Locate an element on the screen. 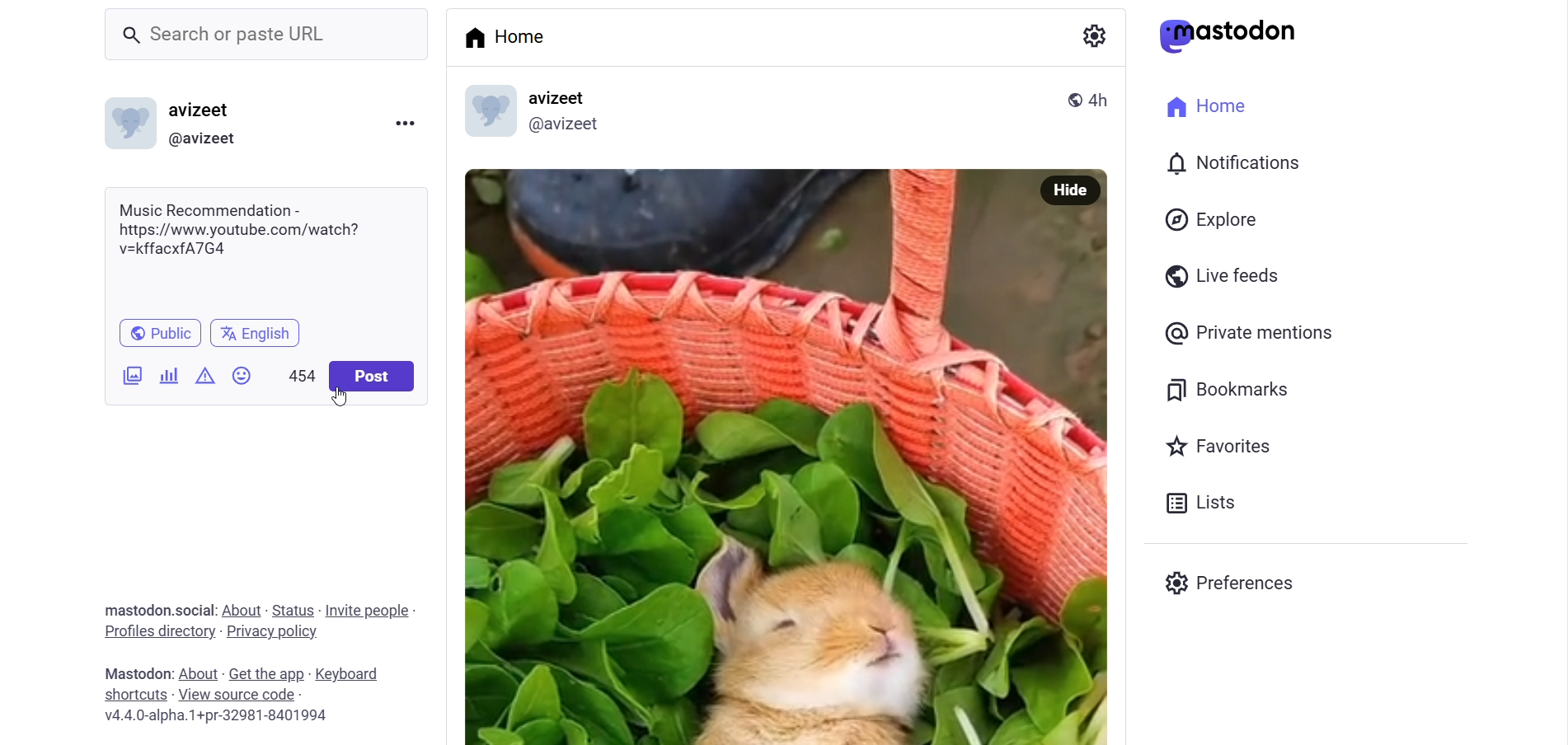 The width and height of the screenshot is (1568, 745). Private Mentions is located at coordinates (1251, 331).